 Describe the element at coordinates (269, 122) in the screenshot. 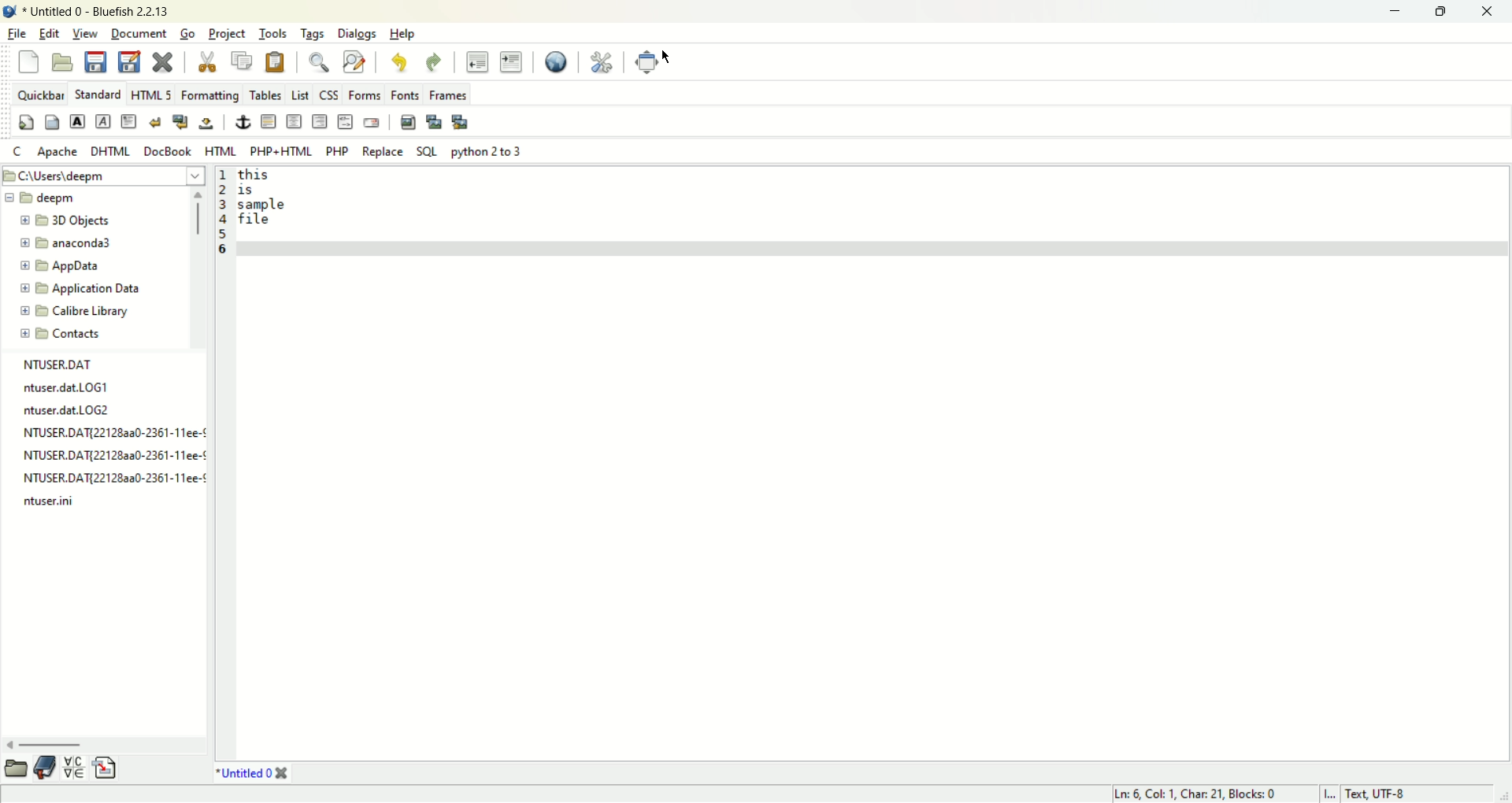

I see `horizontal rule` at that location.